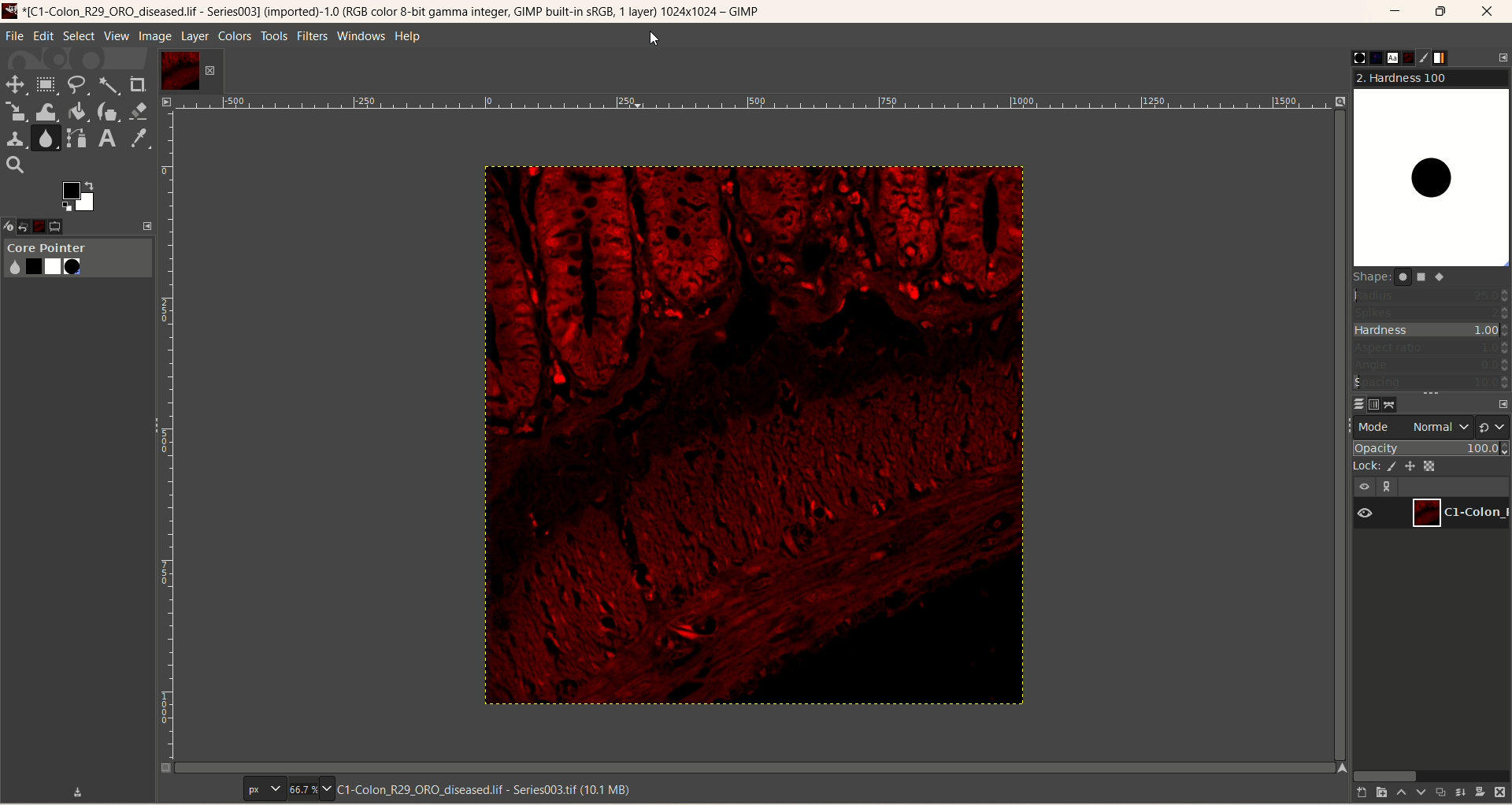  Describe the element at coordinates (1439, 794) in the screenshot. I see `duplicate the layer` at that location.